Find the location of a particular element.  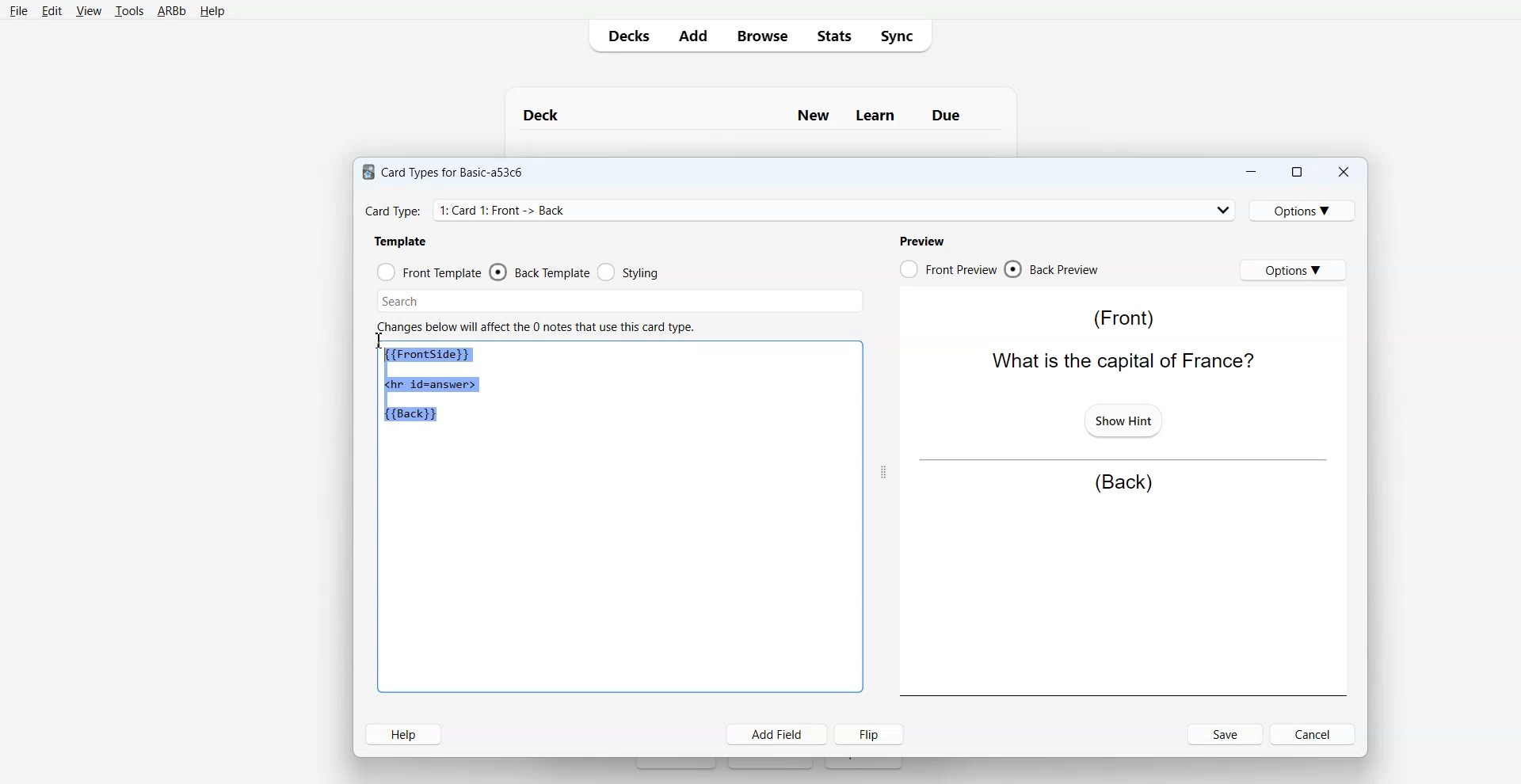

Card Type is located at coordinates (801, 210).